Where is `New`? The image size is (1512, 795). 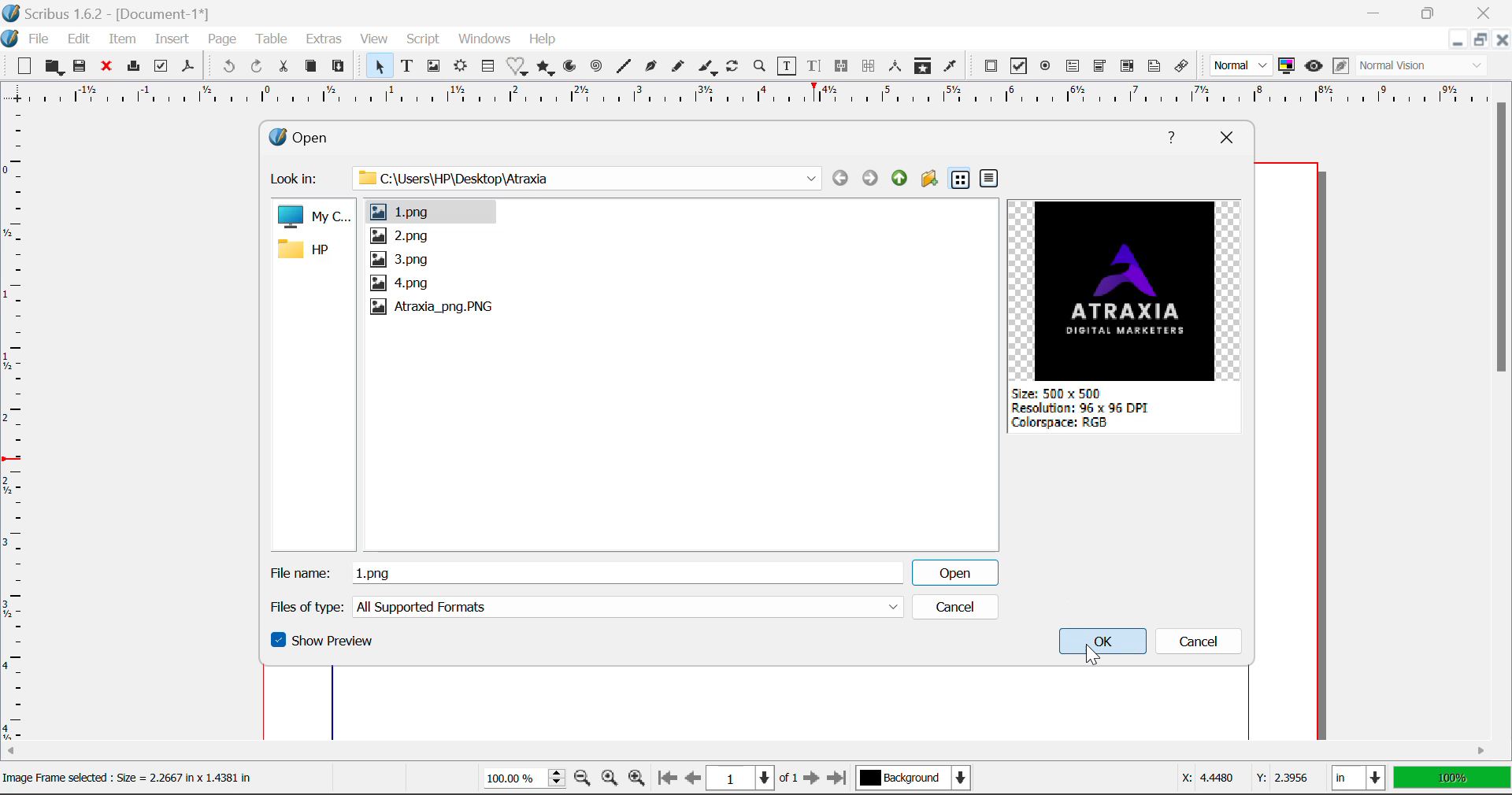 New is located at coordinates (24, 68).